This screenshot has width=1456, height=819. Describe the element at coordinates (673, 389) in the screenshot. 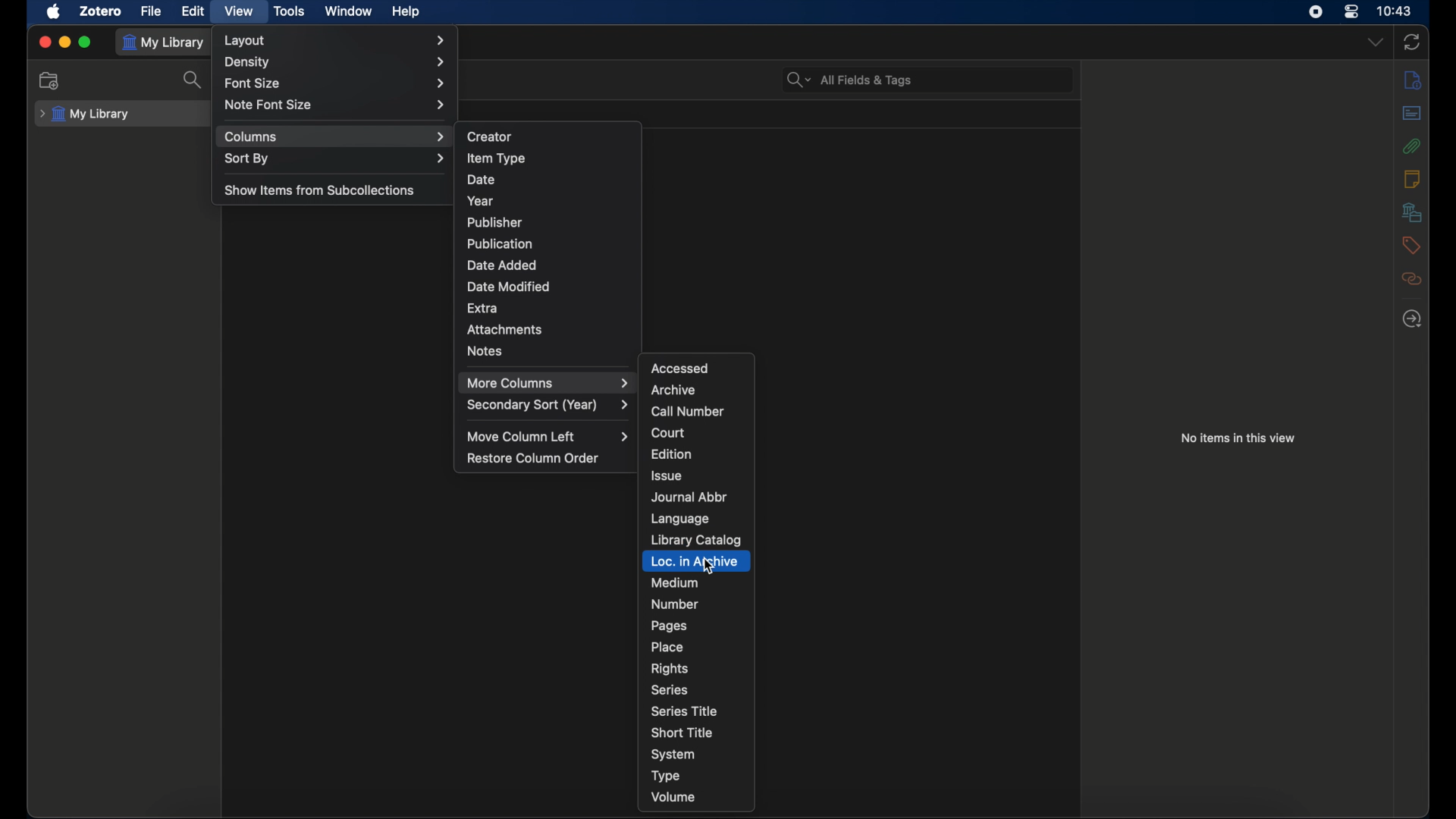

I see `archive` at that location.